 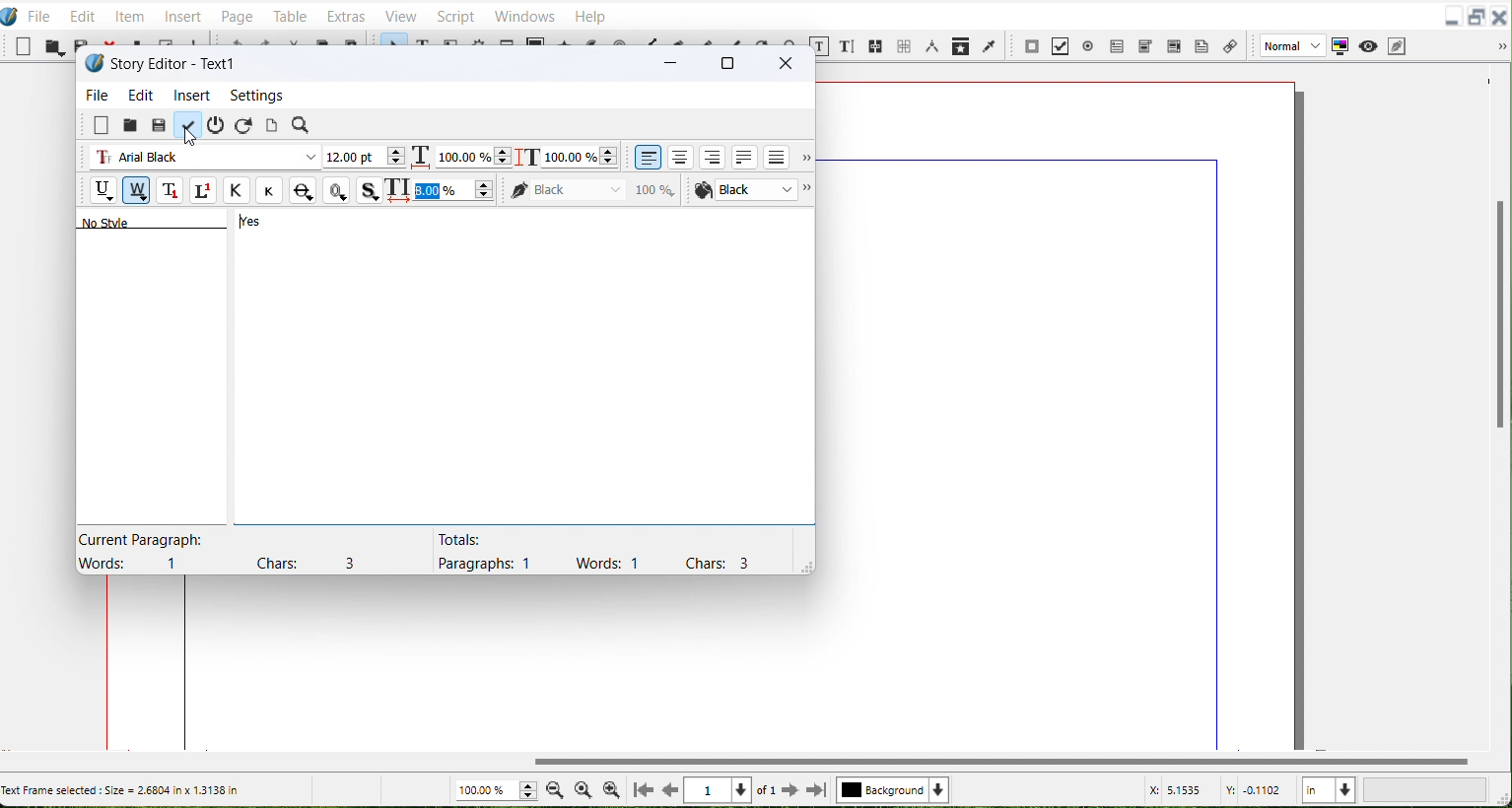 I want to click on Item, so click(x=130, y=14).